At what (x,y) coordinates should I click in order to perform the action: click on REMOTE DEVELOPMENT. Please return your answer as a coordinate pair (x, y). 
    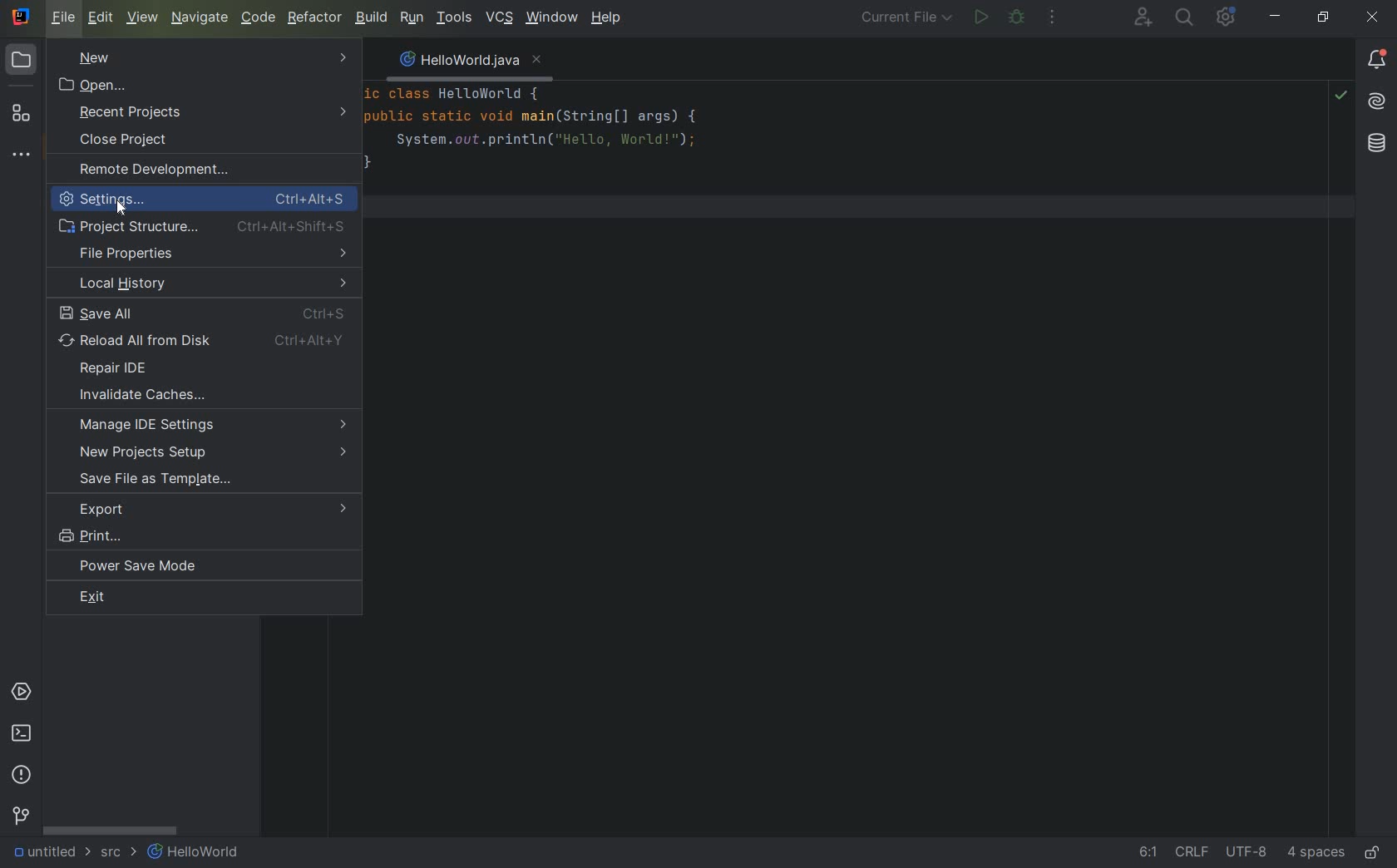
    Looking at the image, I should click on (189, 172).